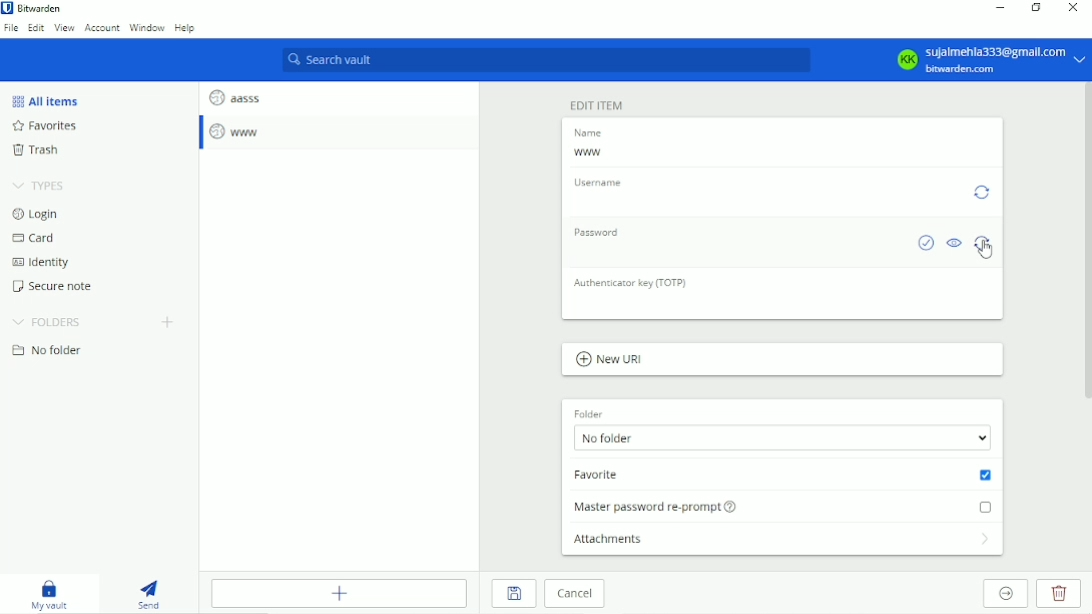  I want to click on Favorites, so click(49, 127).